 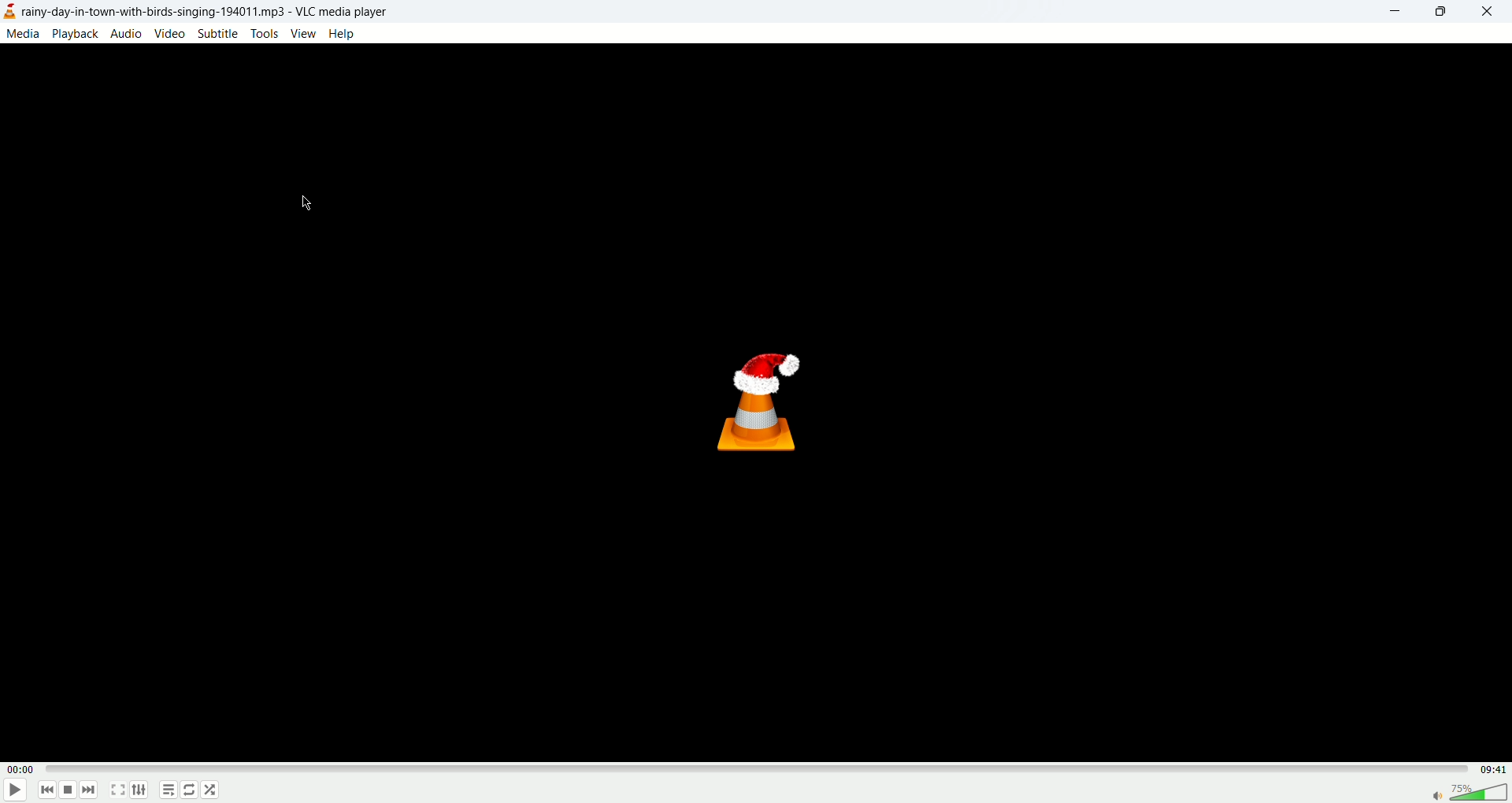 I want to click on maximize, so click(x=1440, y=13).